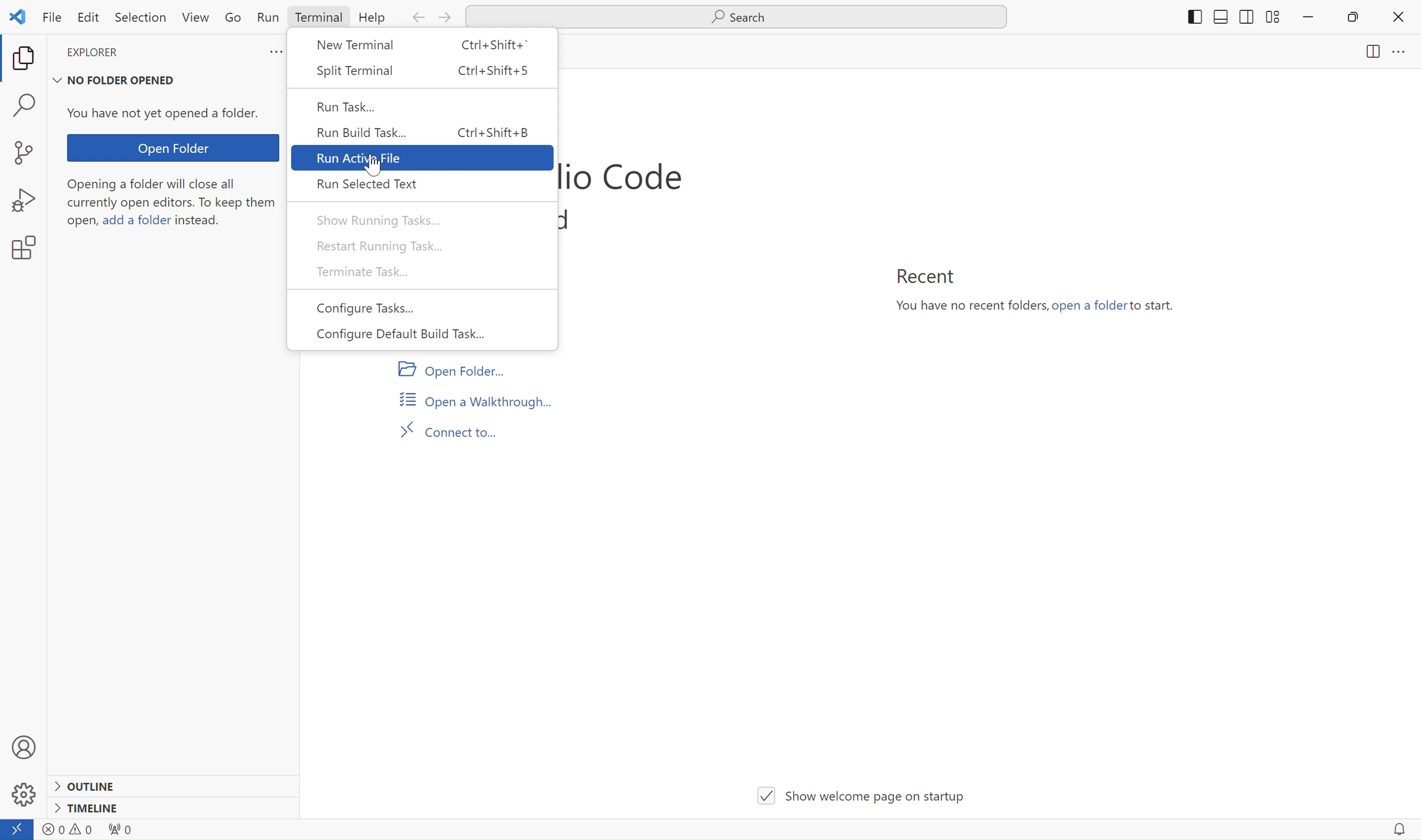  What do you see at coordinates (92, 830) in the screenshot?
I see `warnings` at bounding box center [92, 830].